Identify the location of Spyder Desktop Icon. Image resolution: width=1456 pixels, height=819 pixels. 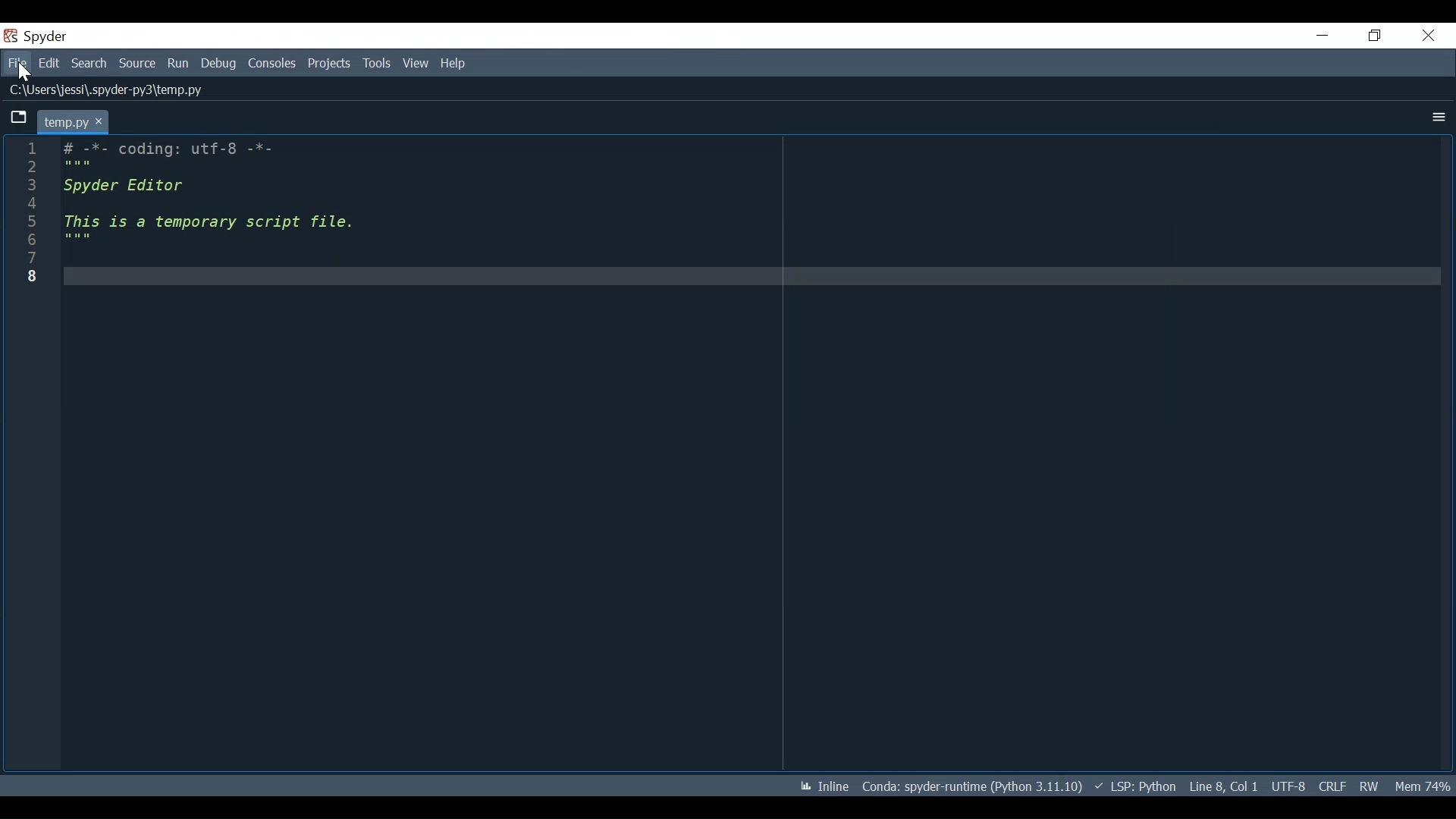
(11, 36).